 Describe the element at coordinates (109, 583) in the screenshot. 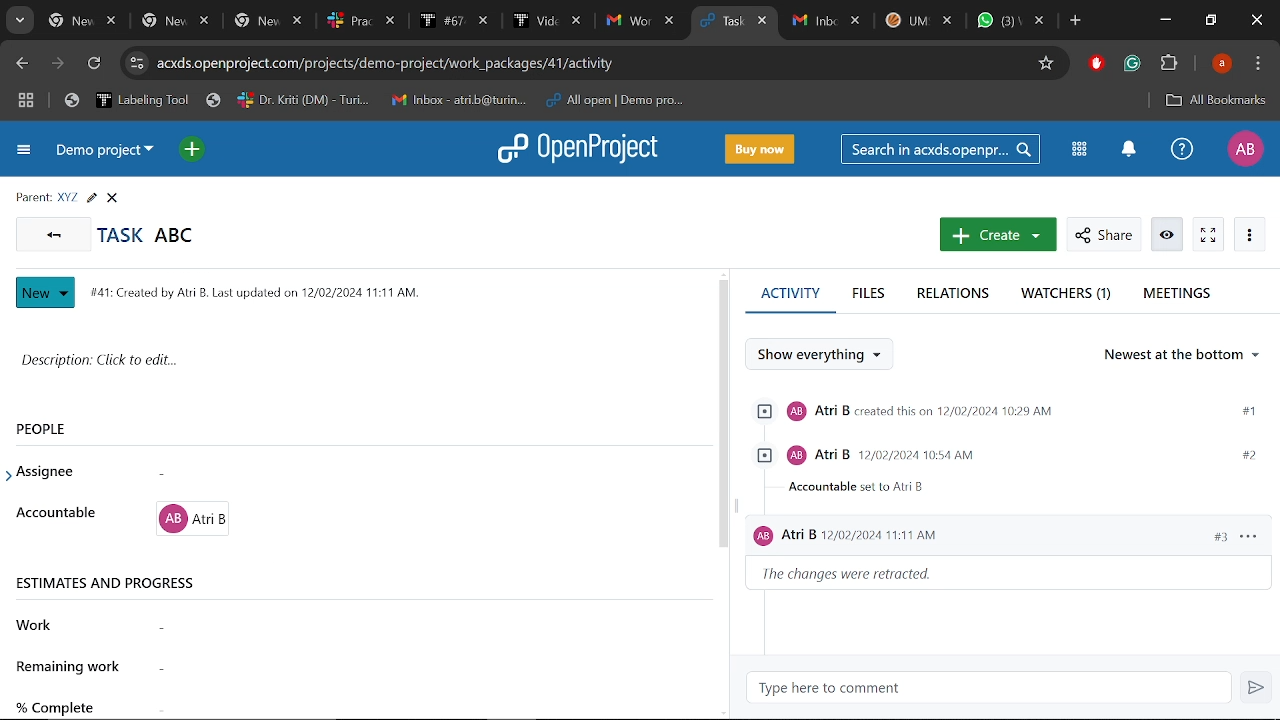

I see `ESTIMATES AND PROGRESS` at that location.